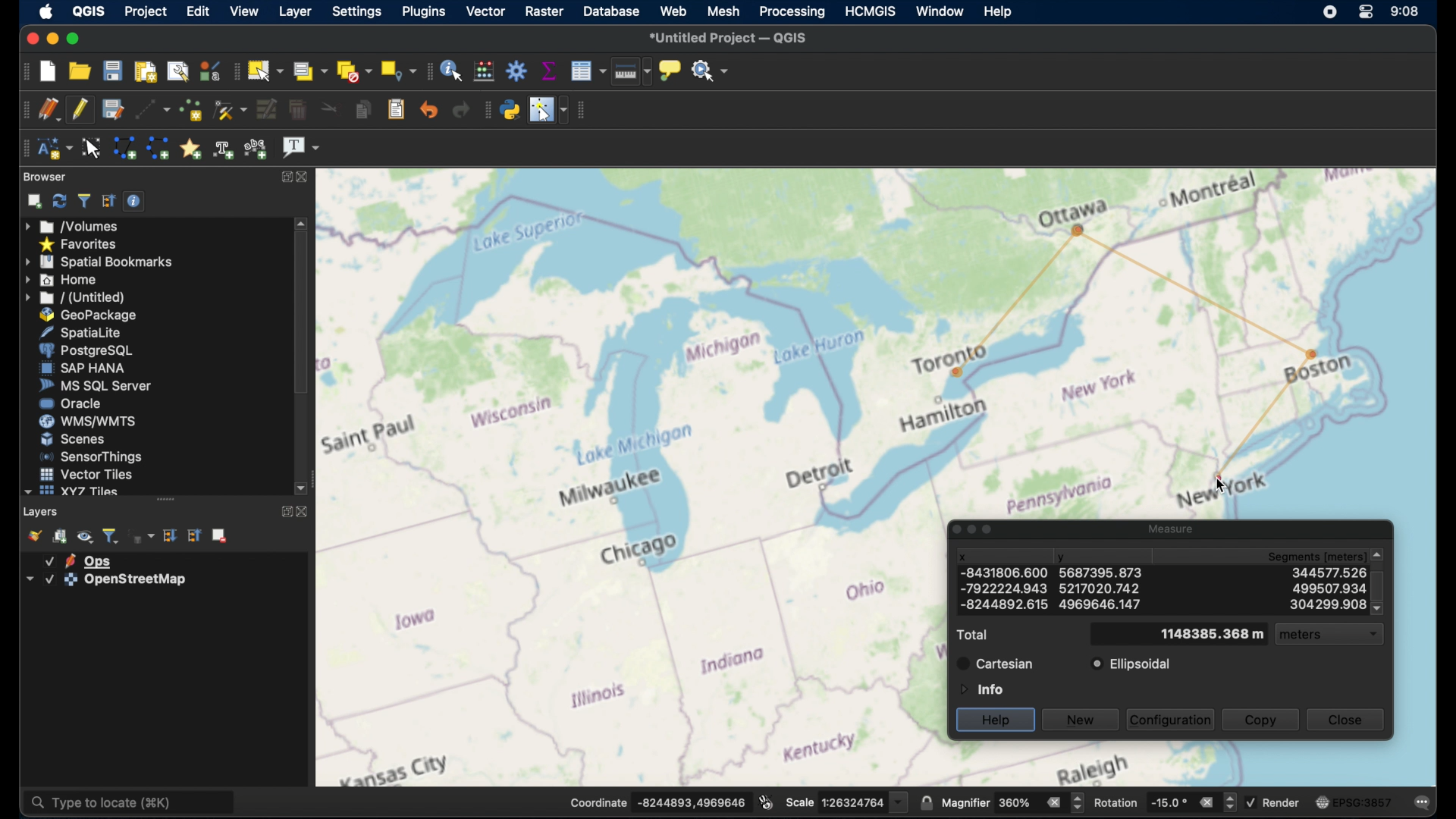 The image size is (1456, 819). Describe the element at coordinates (1002, 586) in the screenshot. I see `x` at that location.